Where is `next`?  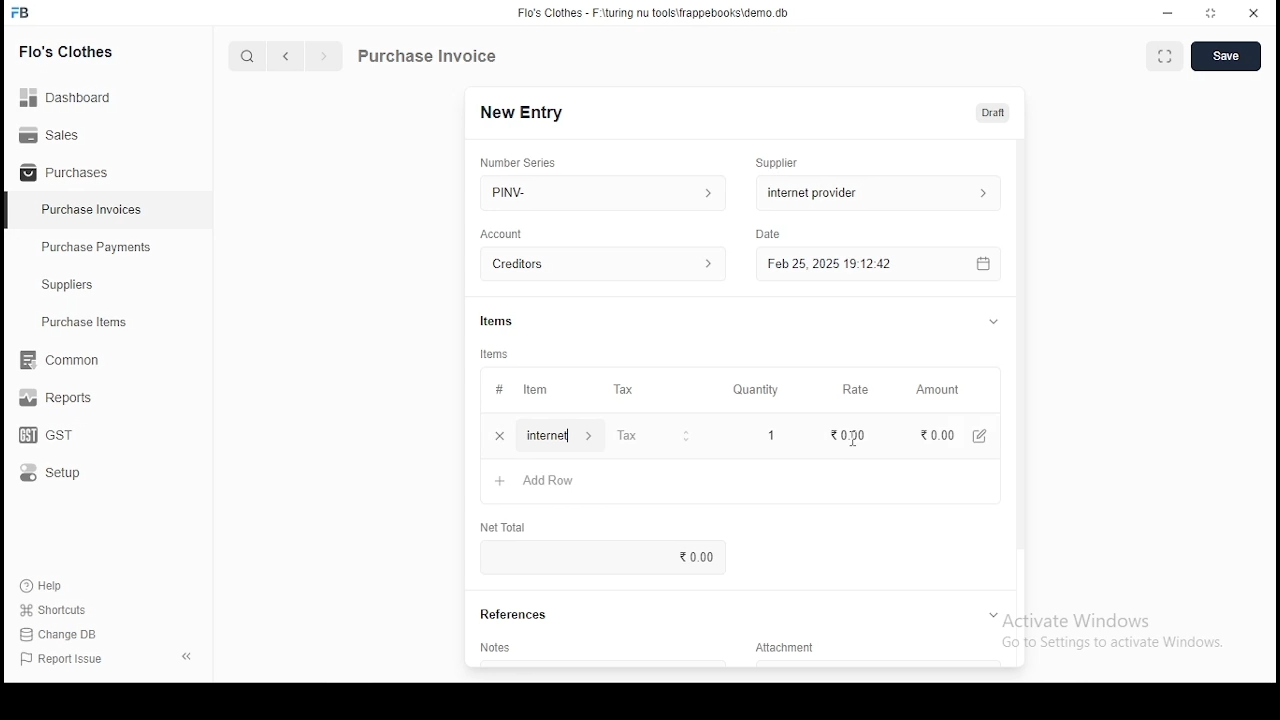
next is located at coordinates (324, 58).